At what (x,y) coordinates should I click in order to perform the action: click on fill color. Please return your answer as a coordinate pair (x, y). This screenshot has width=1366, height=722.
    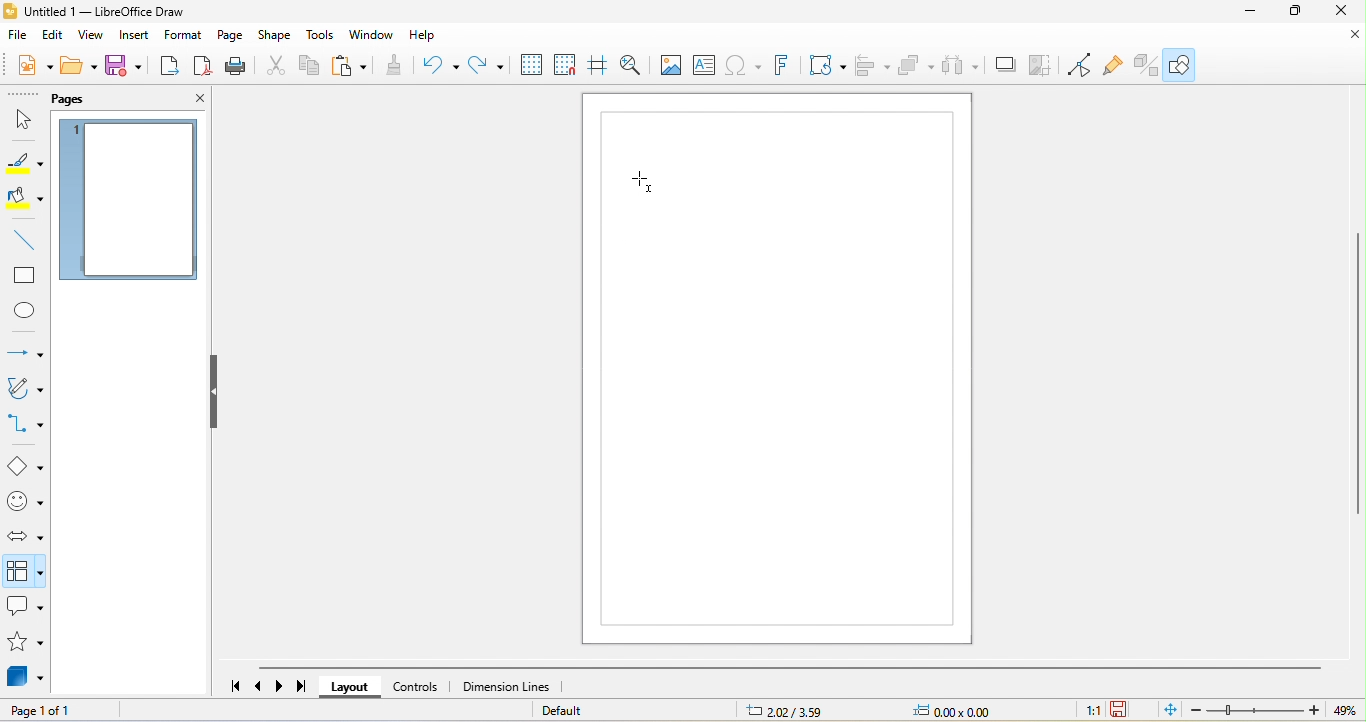
    Looking at the image, I should click on (23, 198).